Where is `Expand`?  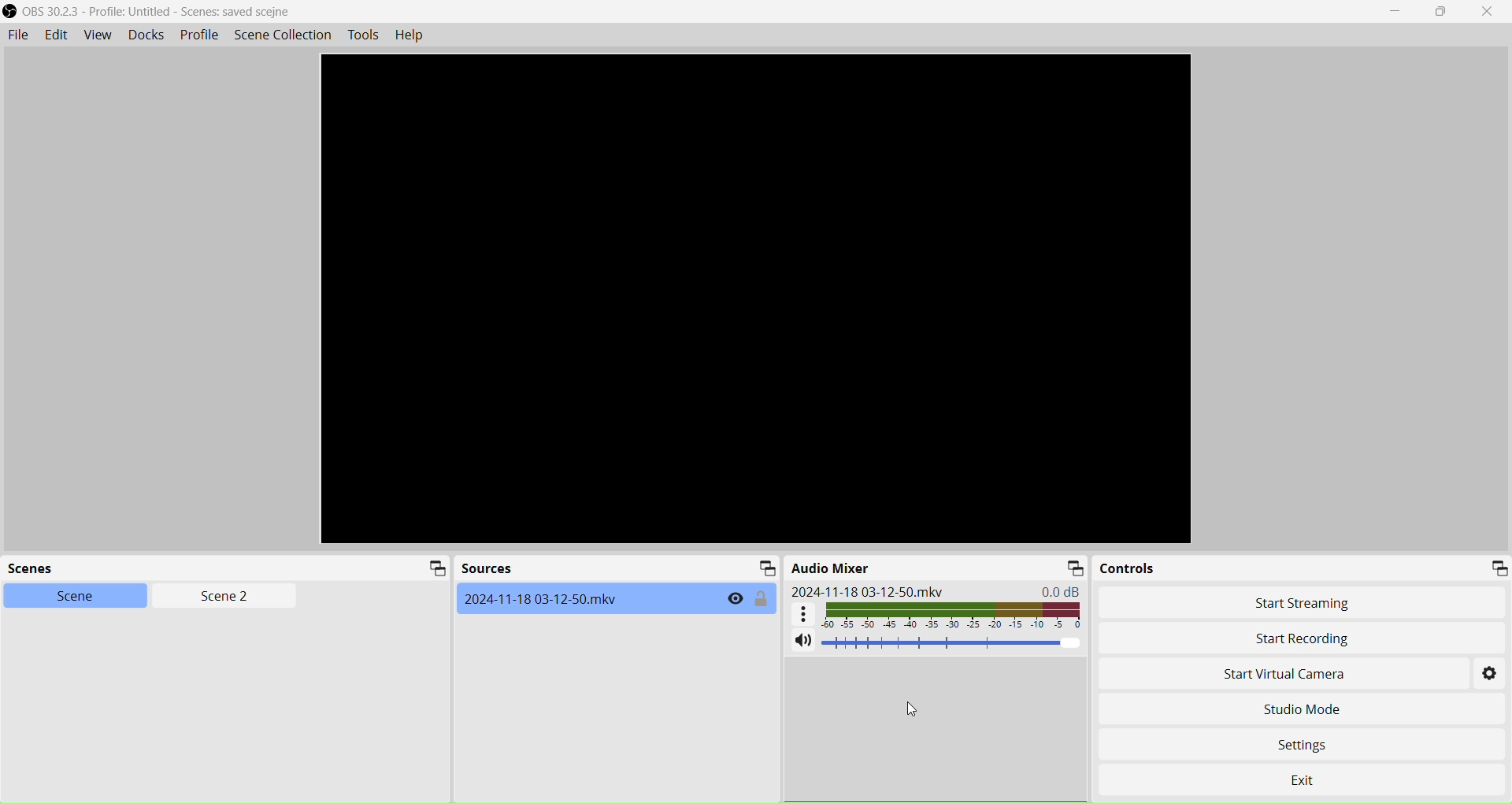 Expand is located at coordinates (1073, 568).